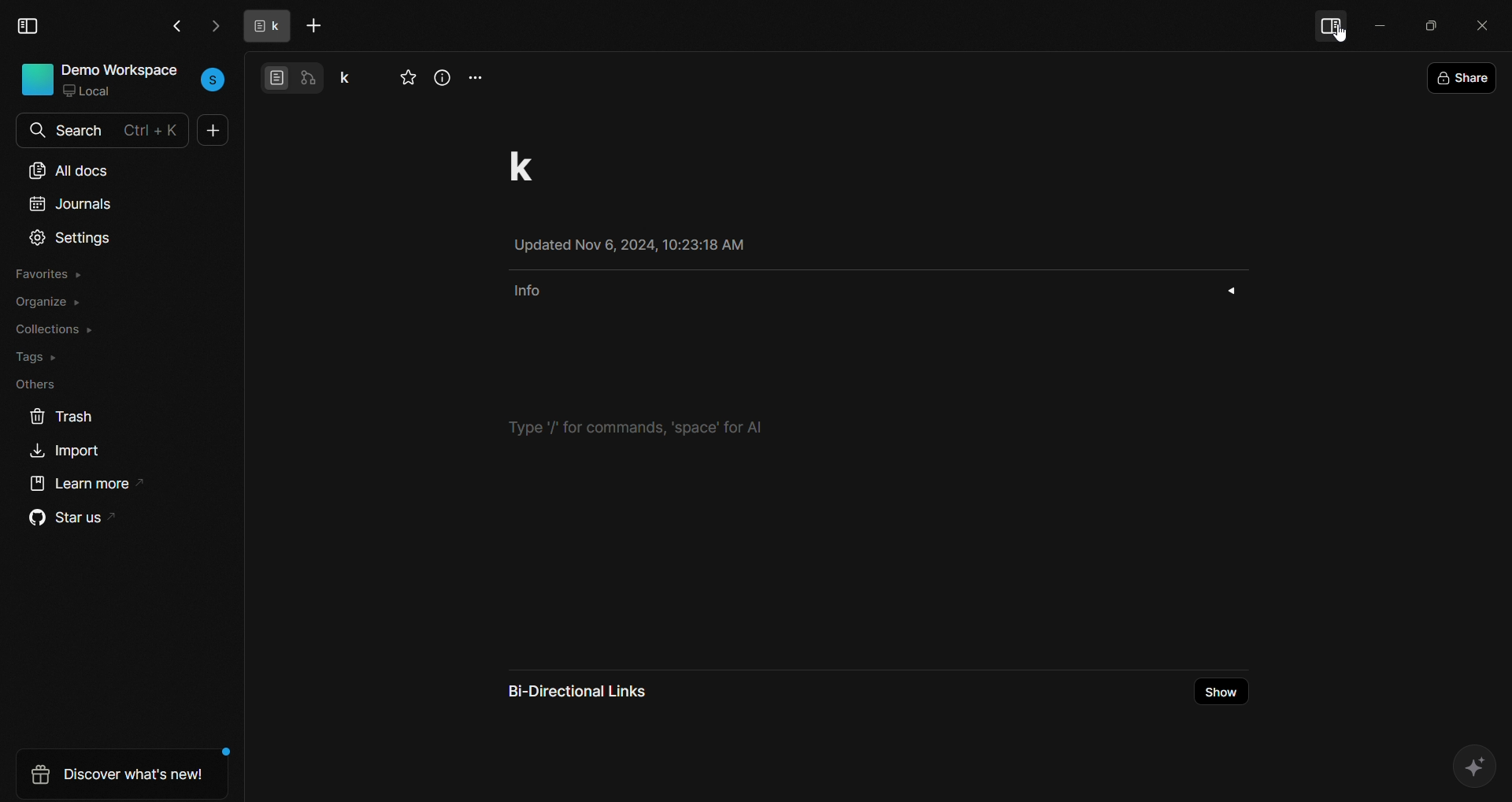  What do you see at coordinates (1331, 22) in the screenshot?
I see `view side bar` at bounding box center [1331, 22].